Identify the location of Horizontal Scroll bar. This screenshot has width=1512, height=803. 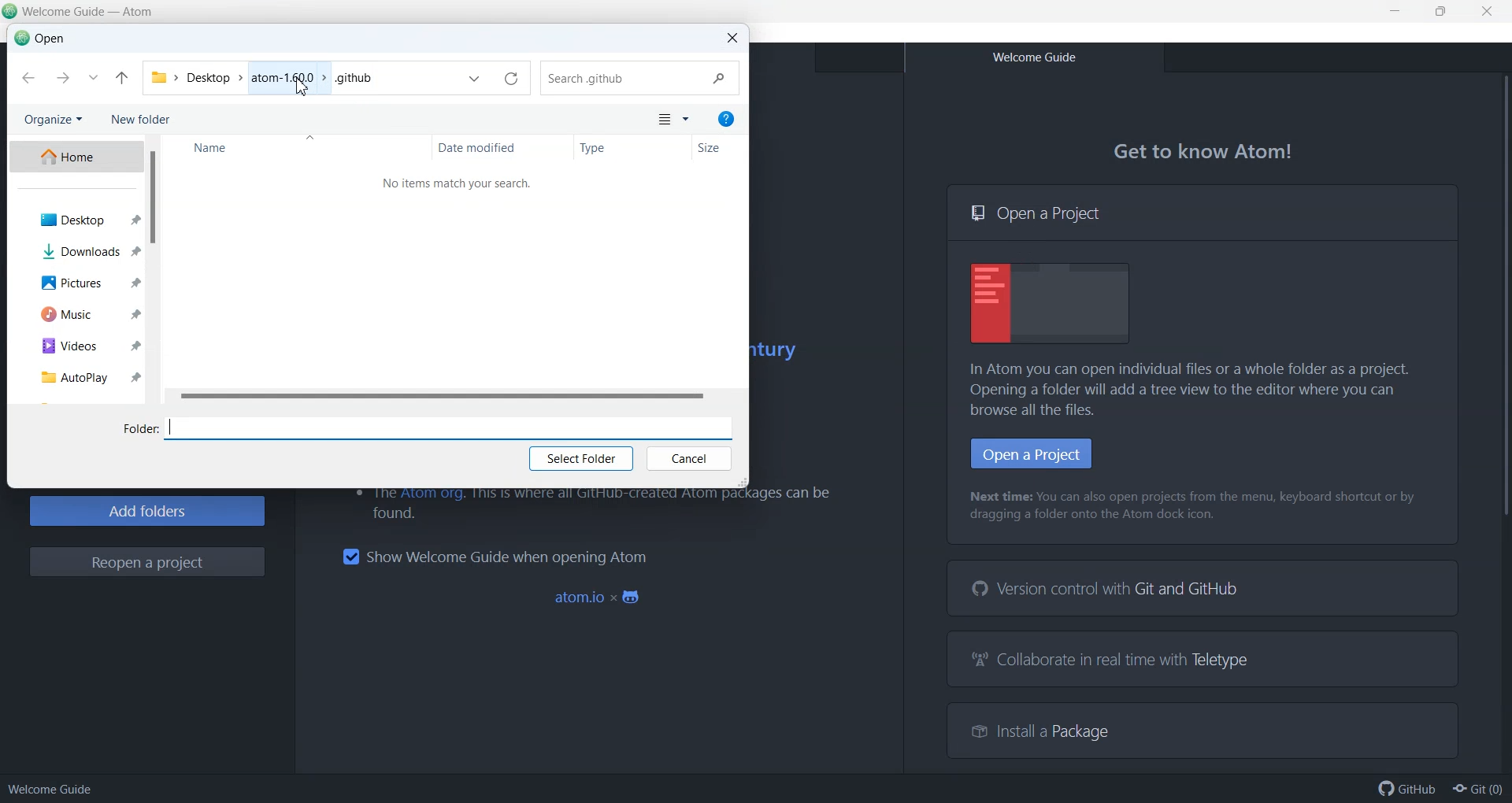
(452, 397).